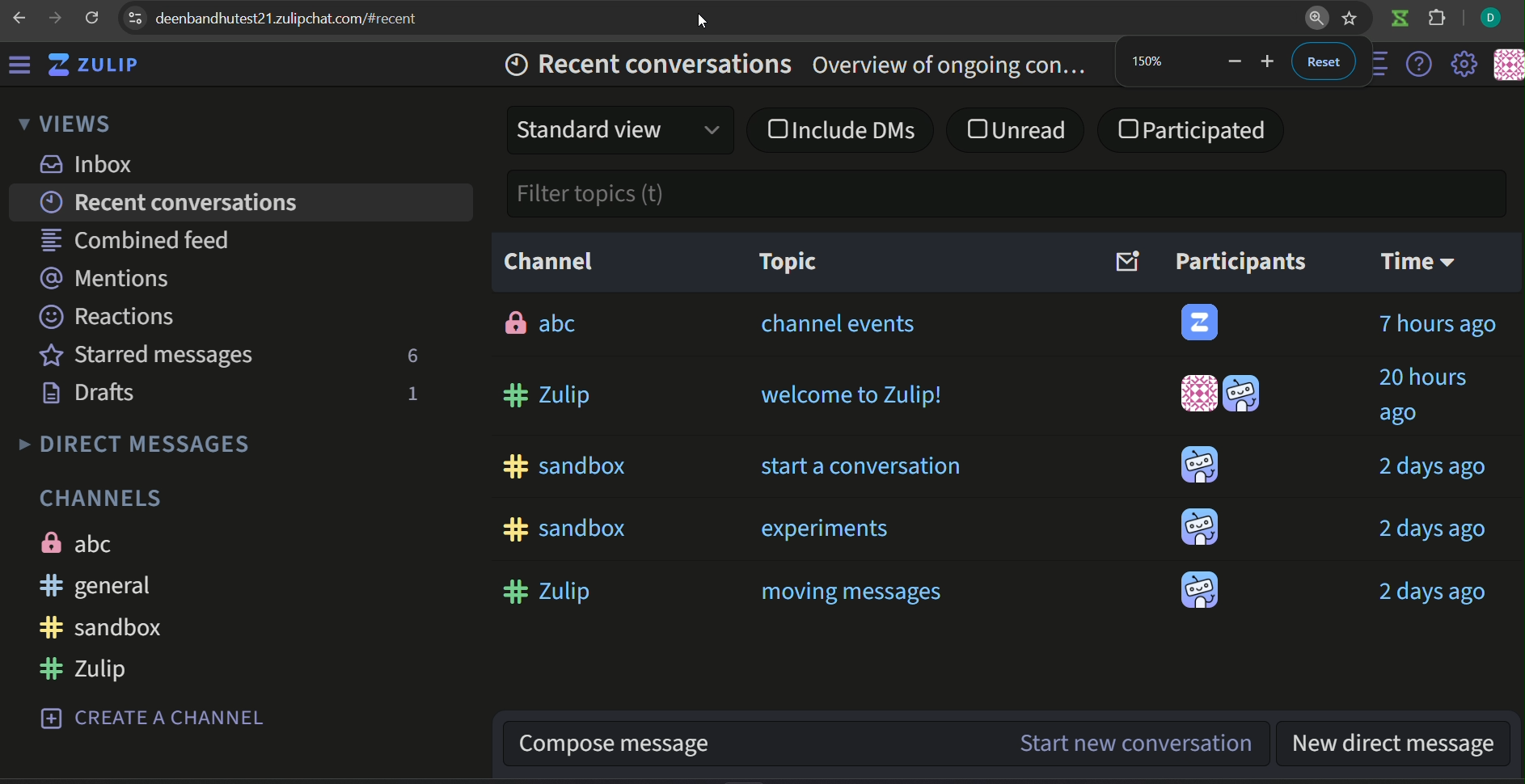 The image size is (1525, 784). Describe the element at coordinates (565, 528) in the screenshot. I see `#sandbox` at that location.